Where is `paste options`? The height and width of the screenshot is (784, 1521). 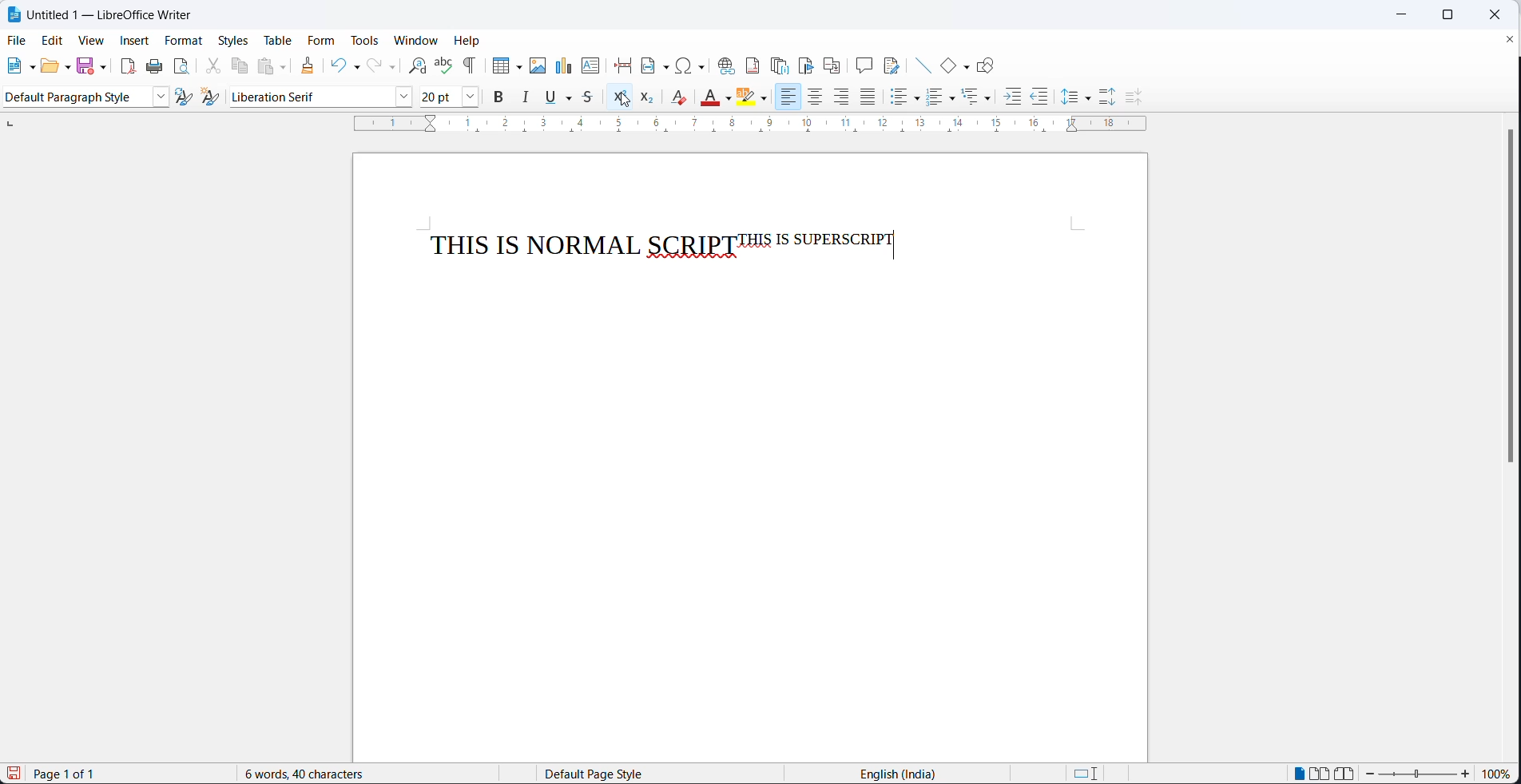 paste options is located at coordinates (288, 65).